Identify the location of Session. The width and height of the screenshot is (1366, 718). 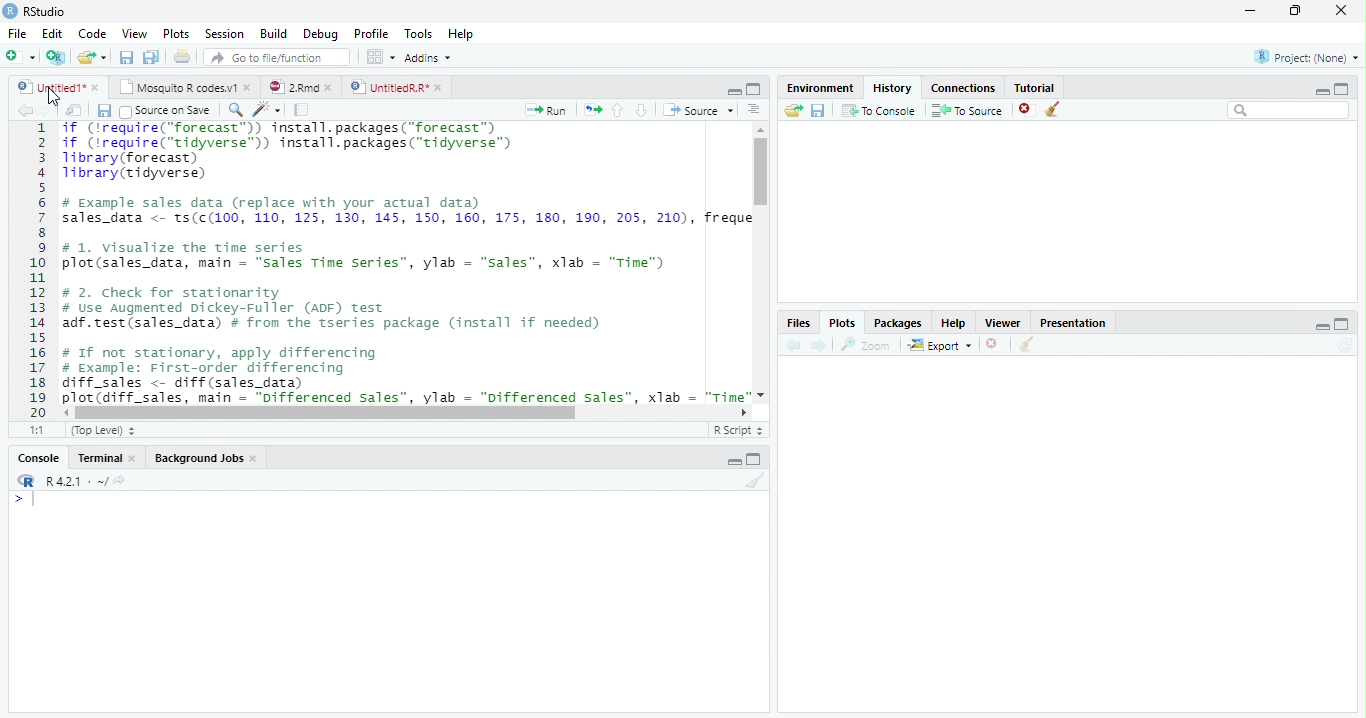
(226, 34).